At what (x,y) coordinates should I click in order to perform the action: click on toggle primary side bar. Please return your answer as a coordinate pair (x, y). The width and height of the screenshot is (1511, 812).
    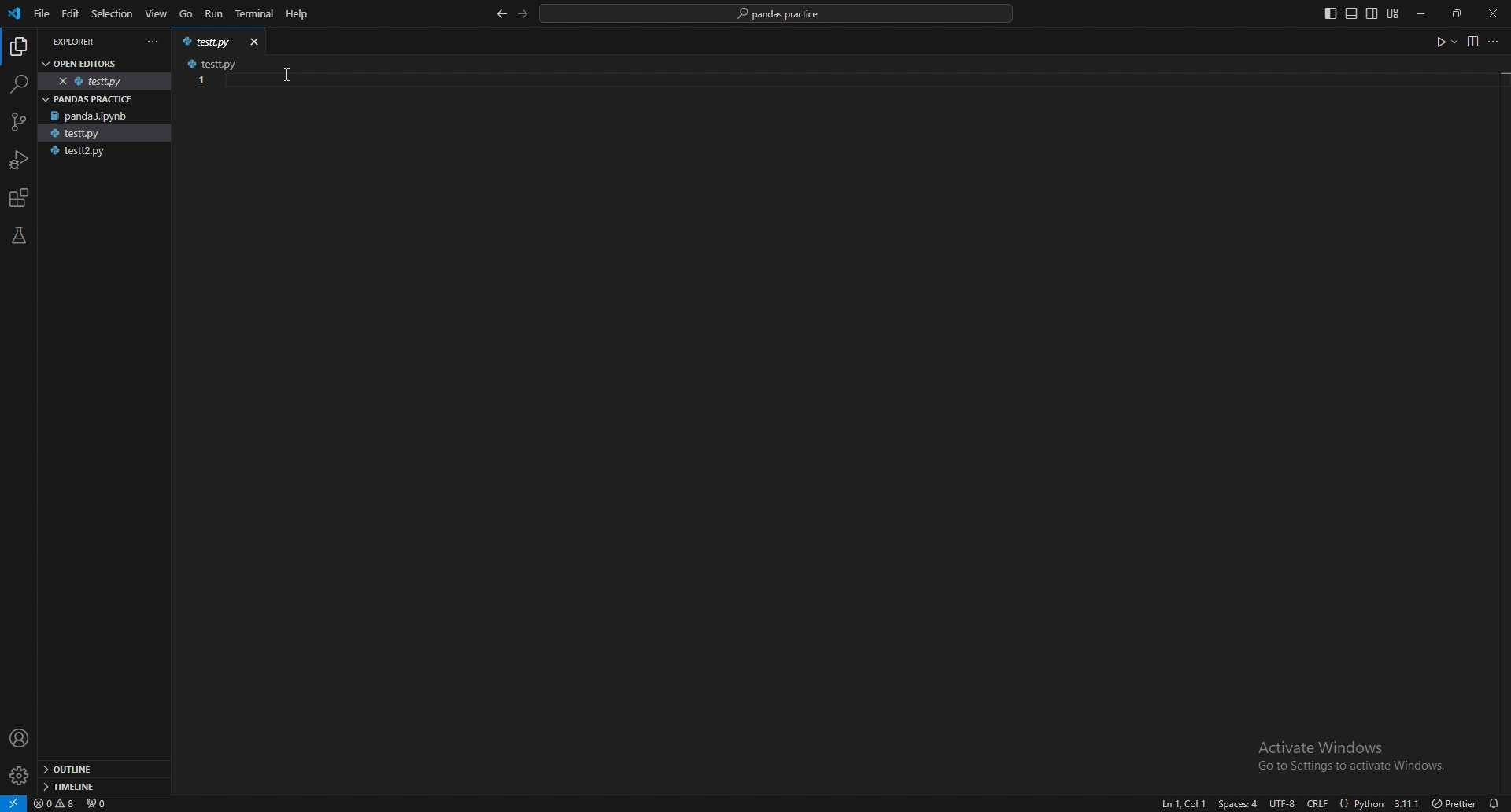
    Looking at the image, I should click on (1332, 13).